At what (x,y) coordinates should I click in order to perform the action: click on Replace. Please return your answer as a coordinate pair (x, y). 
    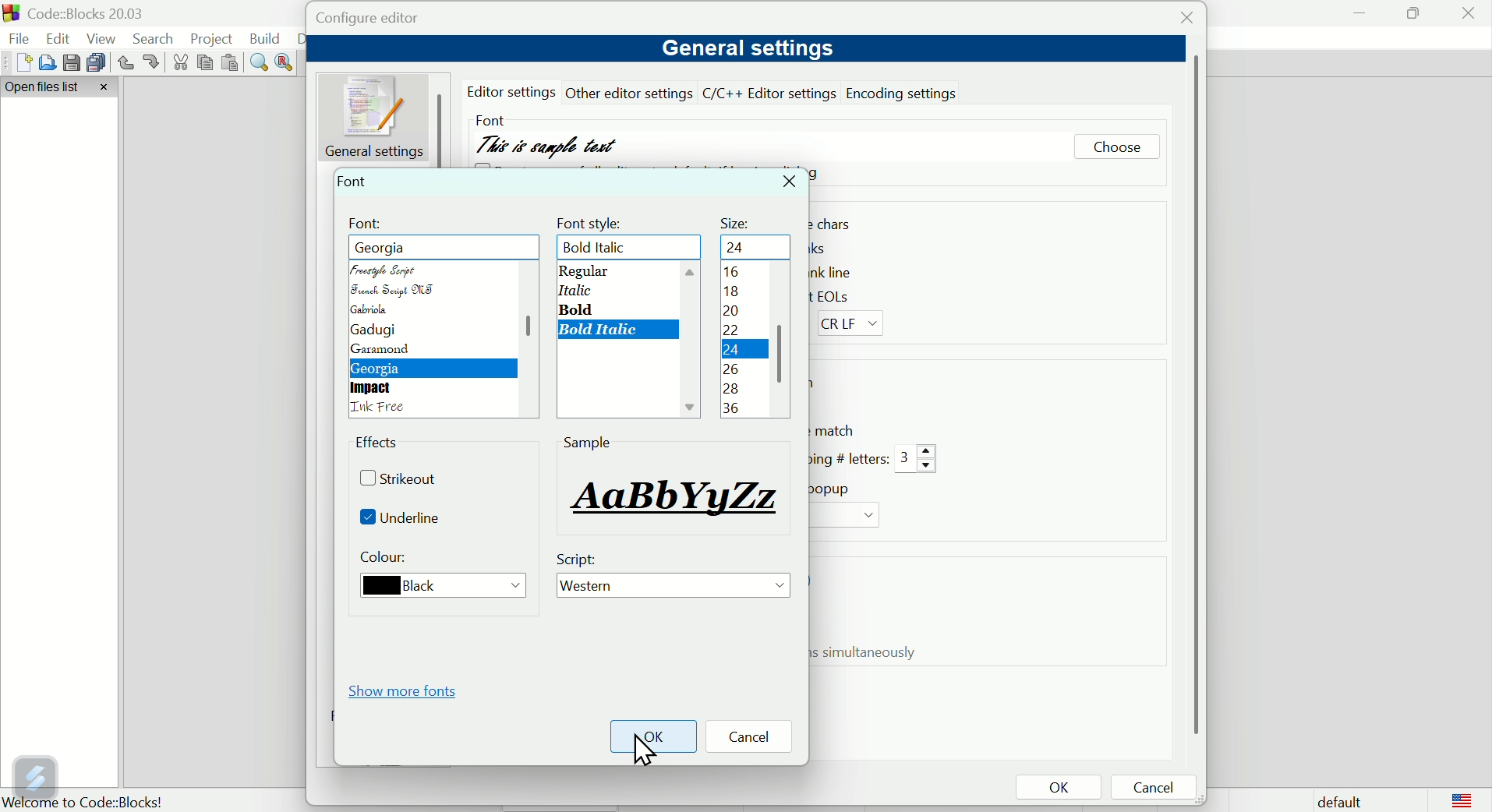
    Looking at the image, I should click on (286, 61).